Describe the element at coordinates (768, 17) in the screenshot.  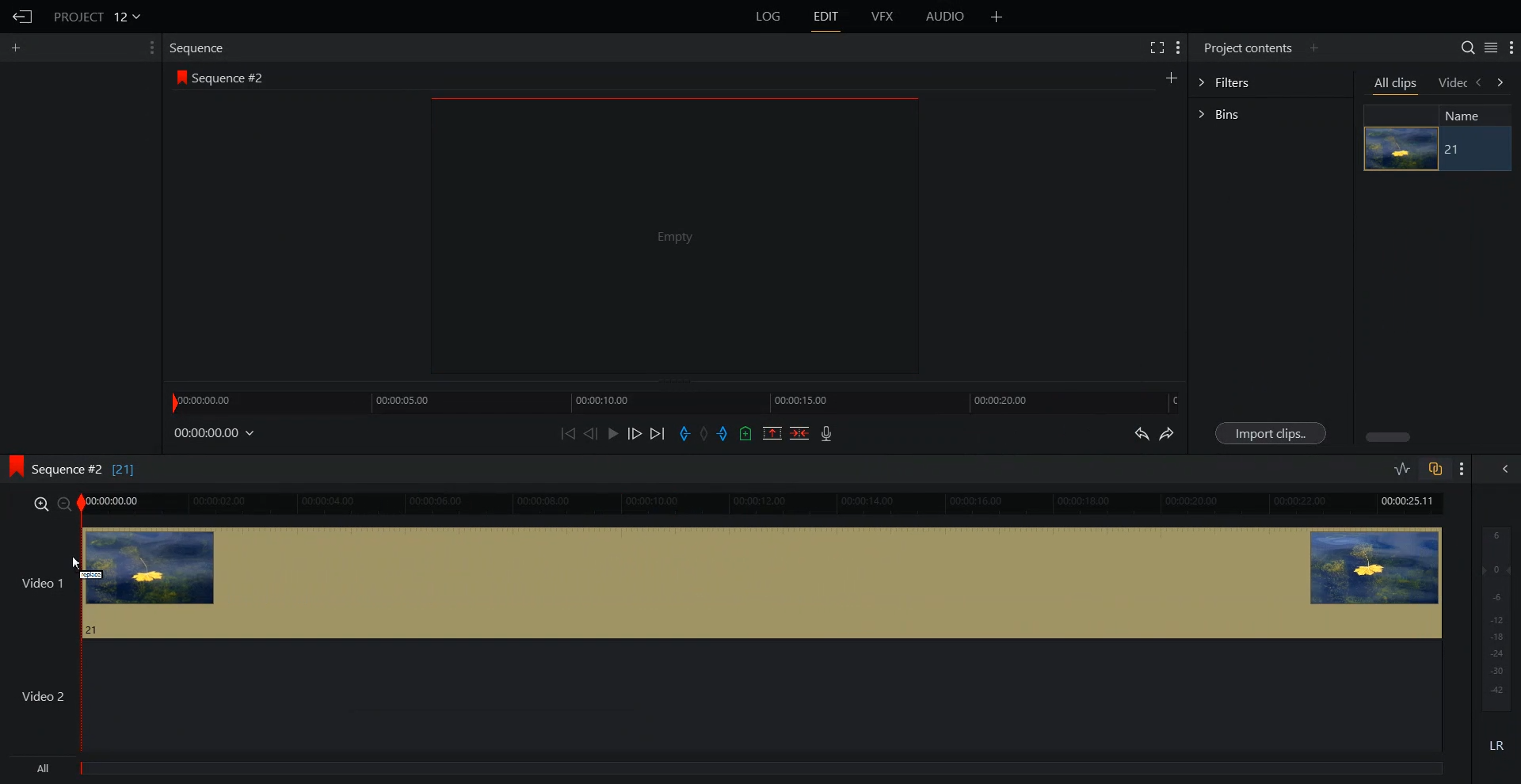
I see `Log` at that location.